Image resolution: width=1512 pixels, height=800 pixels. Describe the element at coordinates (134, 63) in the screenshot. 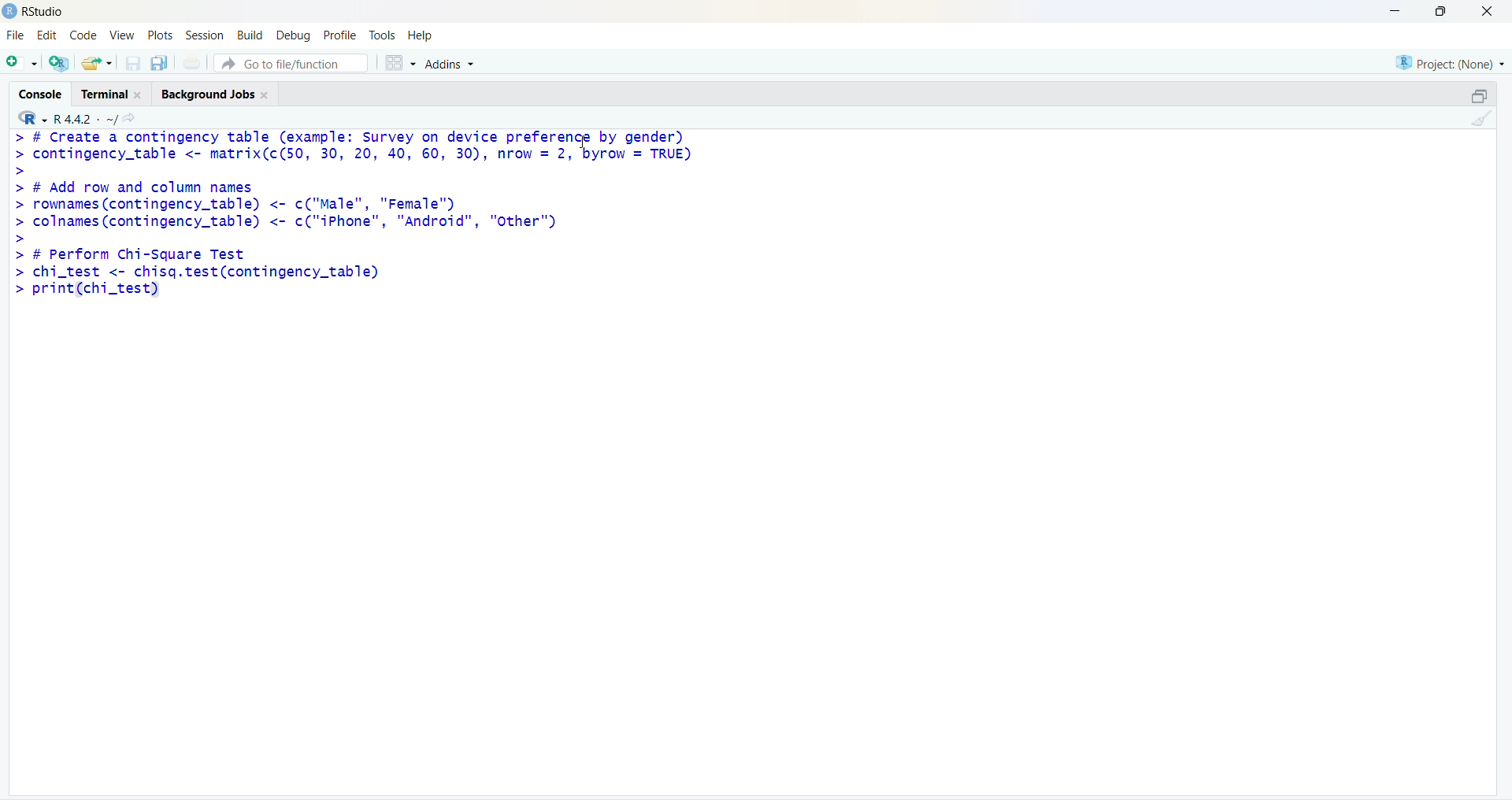

I see `save` at that location.